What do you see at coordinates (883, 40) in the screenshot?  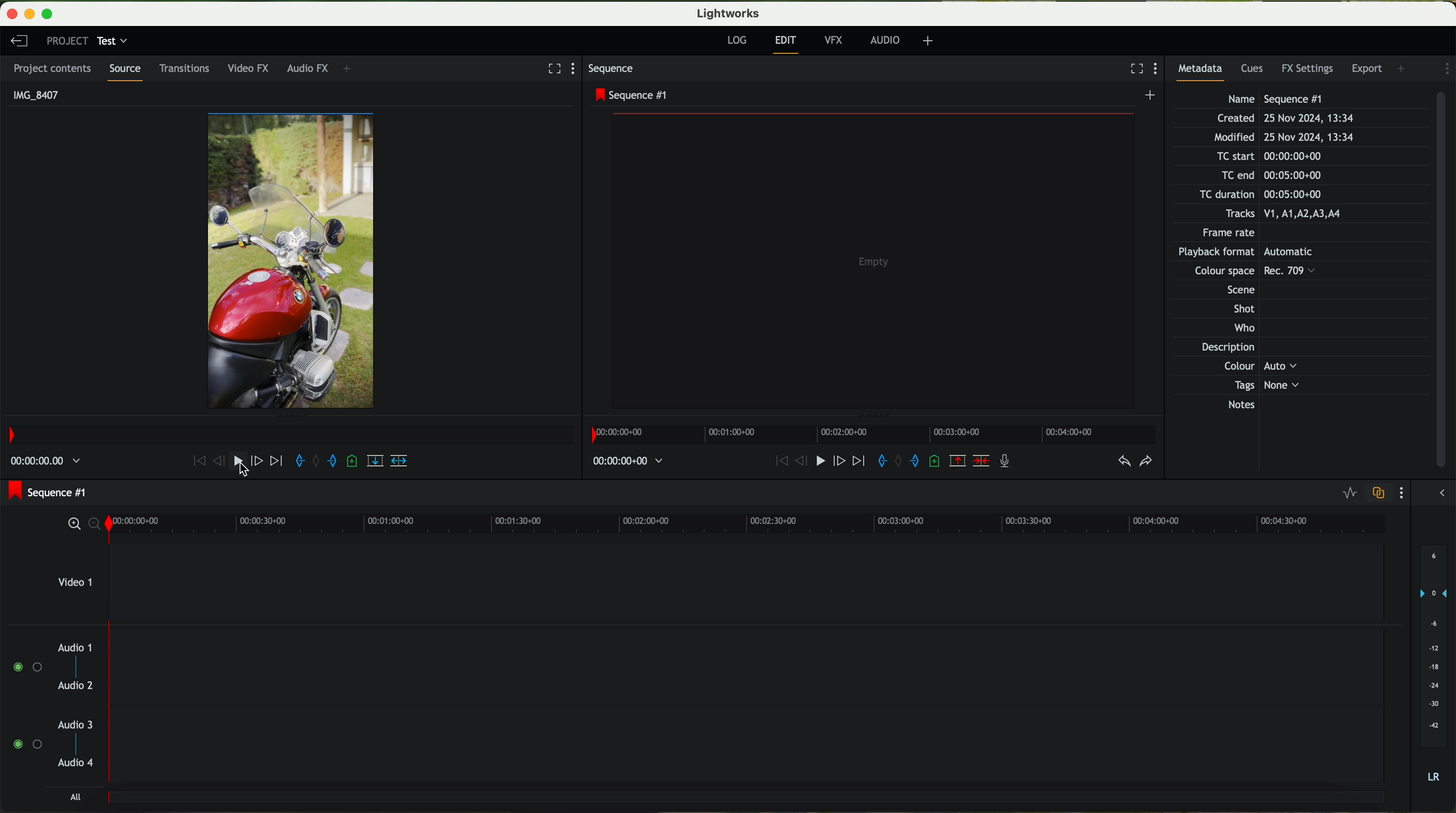 I see `AUDIO` at bounding box center [883, 40].